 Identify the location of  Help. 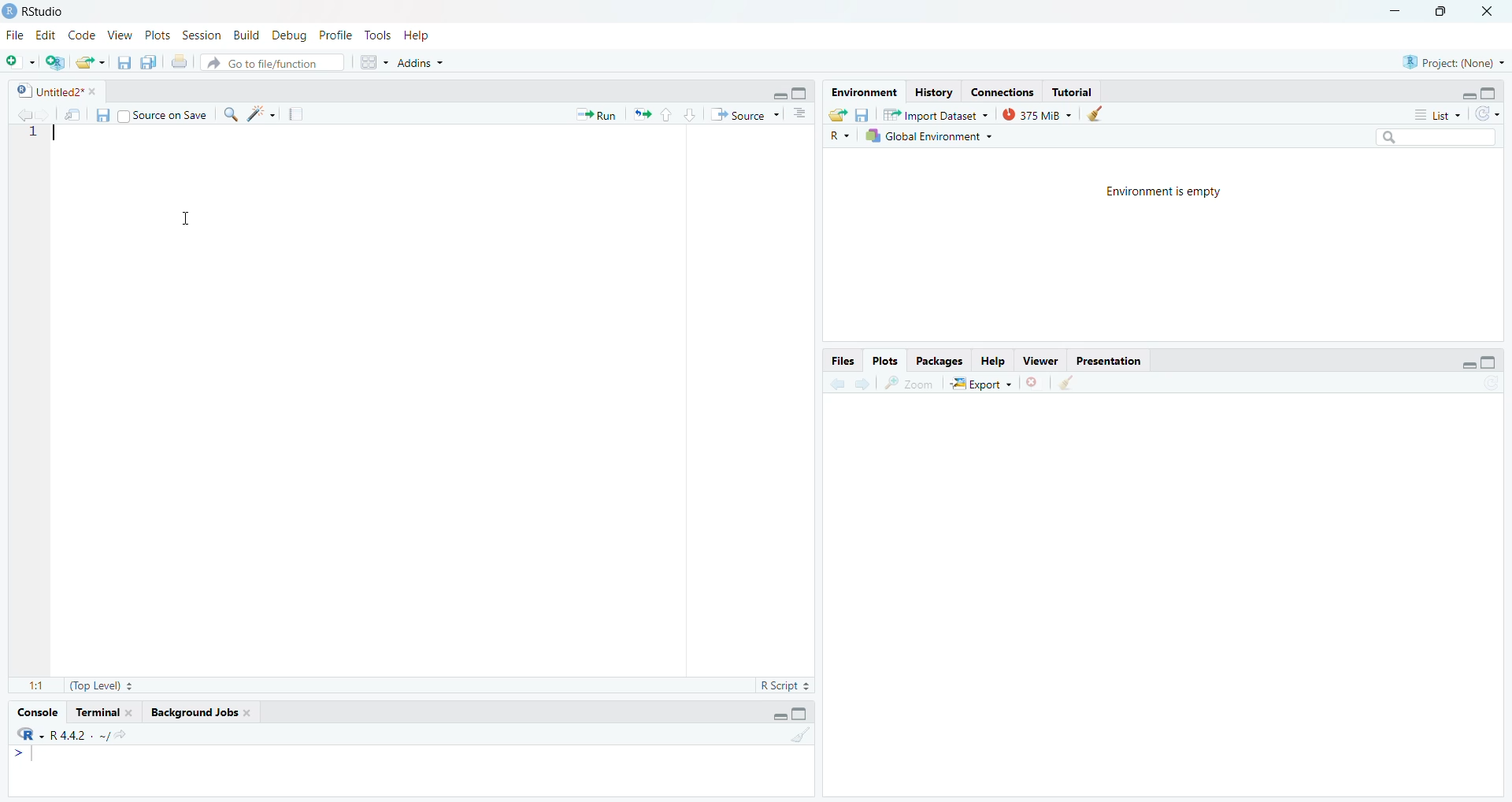
(417, 35).